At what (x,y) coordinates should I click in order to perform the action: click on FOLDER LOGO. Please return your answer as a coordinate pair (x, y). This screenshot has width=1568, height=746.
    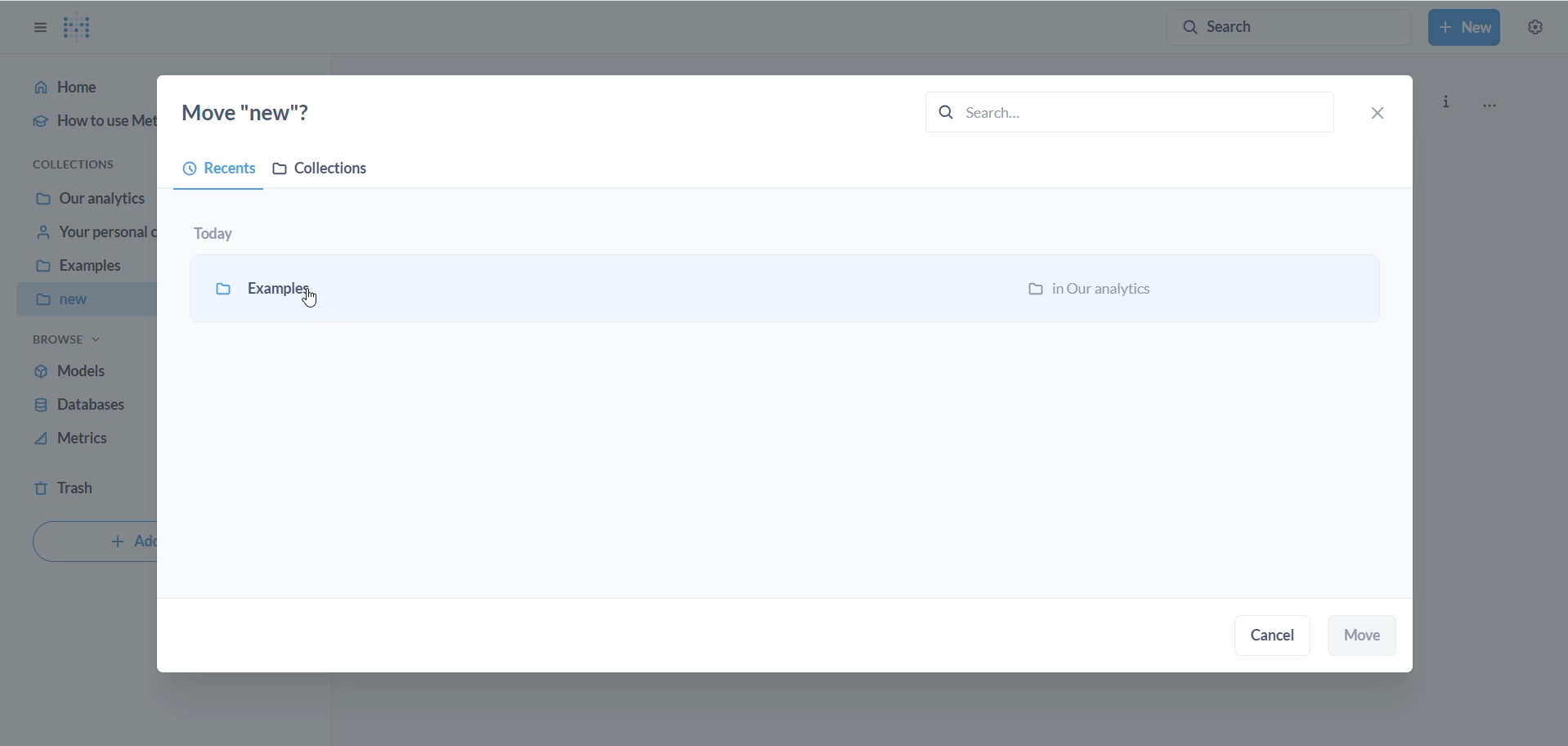
    Looking at the image, I should click on (220, 286).